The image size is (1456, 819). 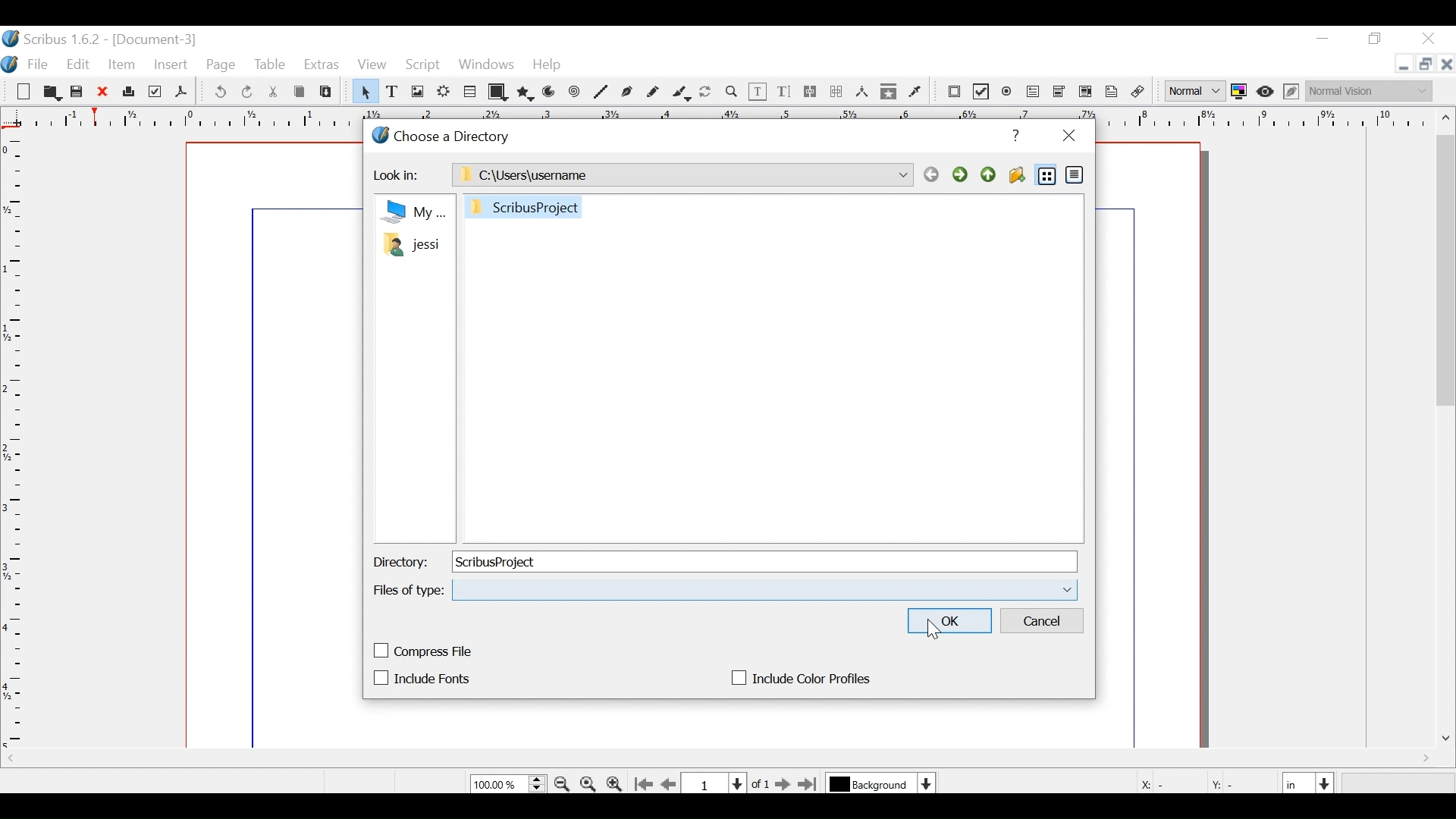 What do you see at coordinates (181, 93) in the screenshot?
I see `Save as Pdf` at bounding box center [181, 93].